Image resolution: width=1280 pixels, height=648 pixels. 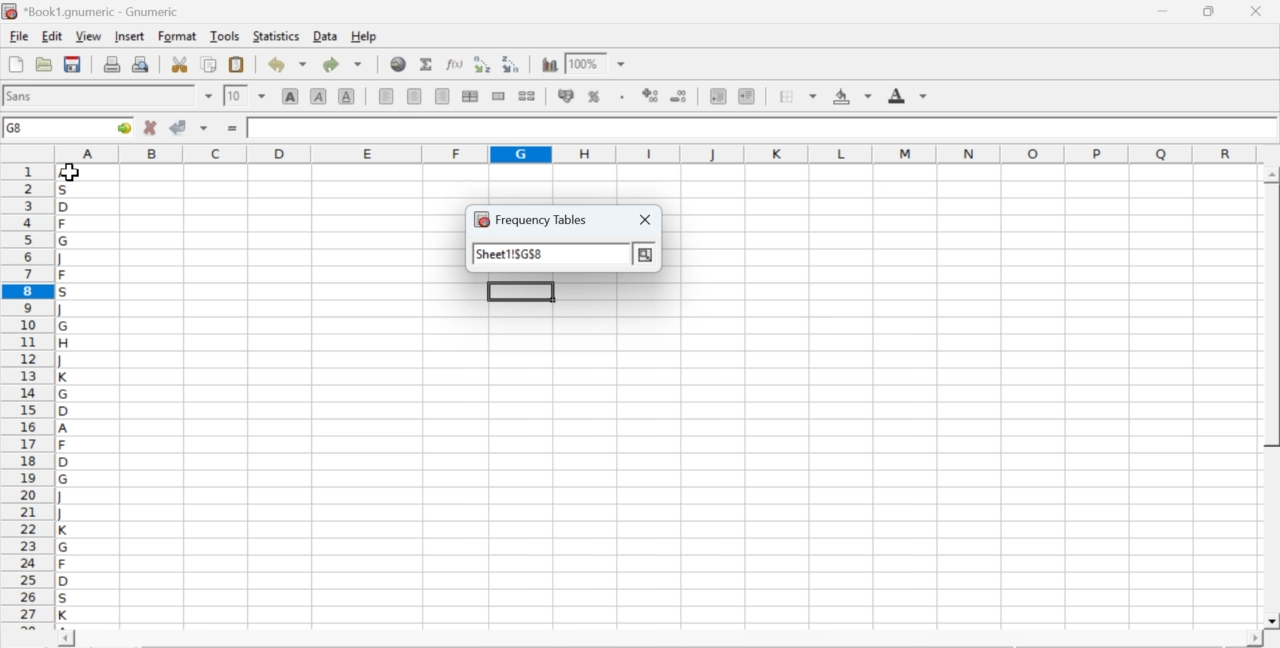 I want to click on scroll bar, so click(x=1272, y=398).